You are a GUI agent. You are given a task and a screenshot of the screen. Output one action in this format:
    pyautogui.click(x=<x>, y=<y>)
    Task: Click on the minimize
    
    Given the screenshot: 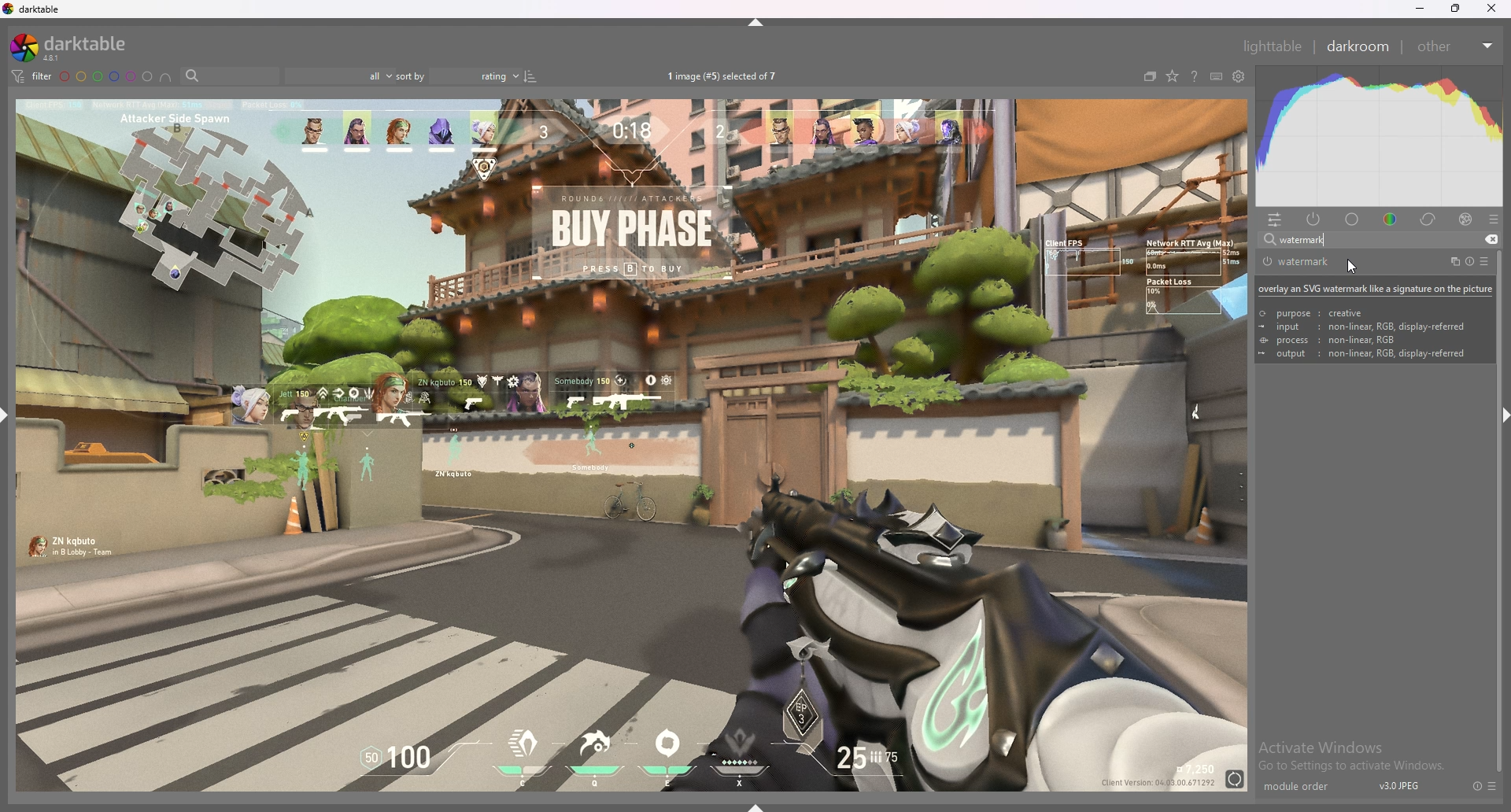 What is the action you would take?
    pyautogui.click(x=1420, y=9)
    